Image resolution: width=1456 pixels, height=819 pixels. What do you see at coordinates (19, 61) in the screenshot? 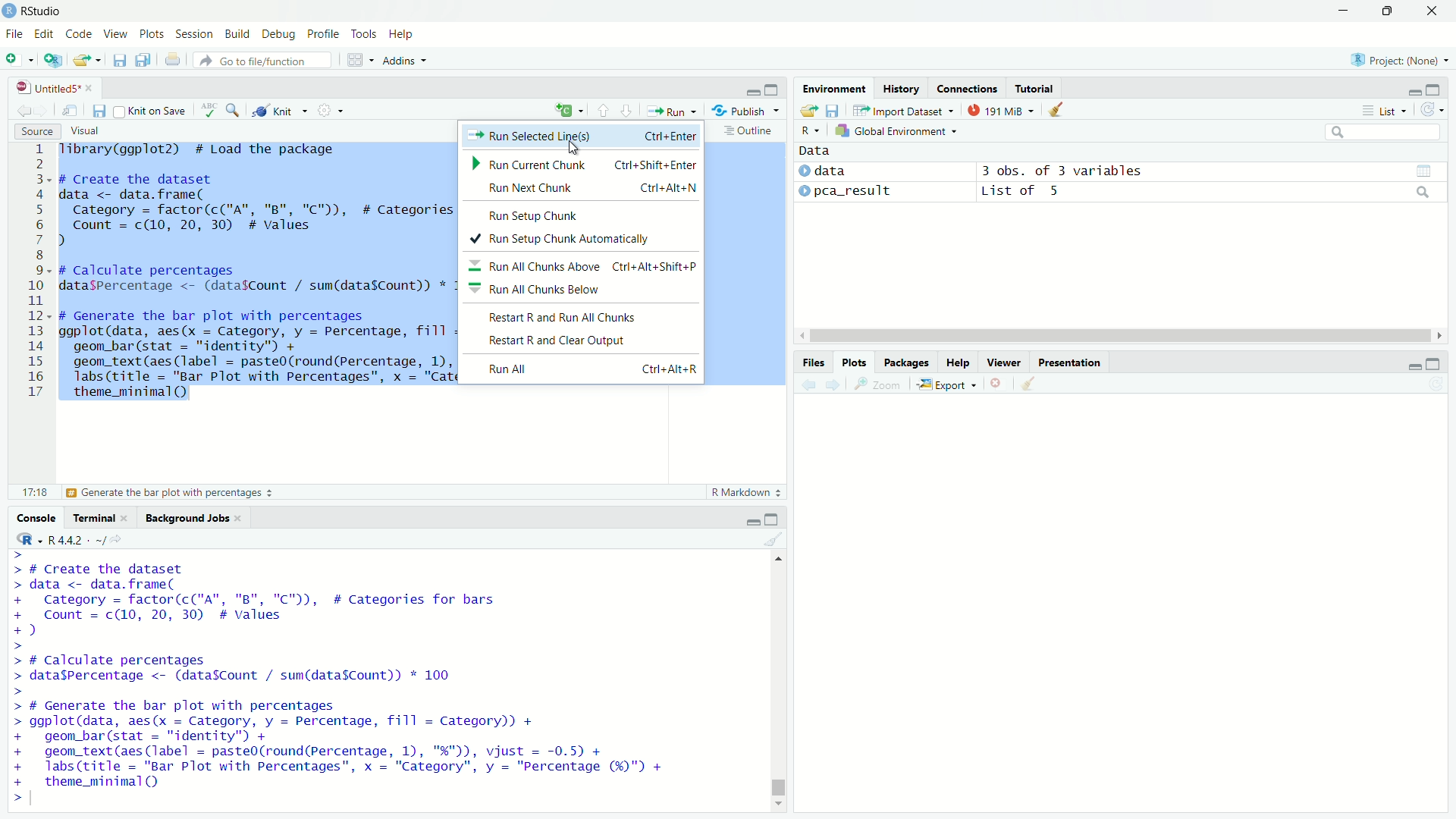
I see `new file` at bounding box center [19, 61].